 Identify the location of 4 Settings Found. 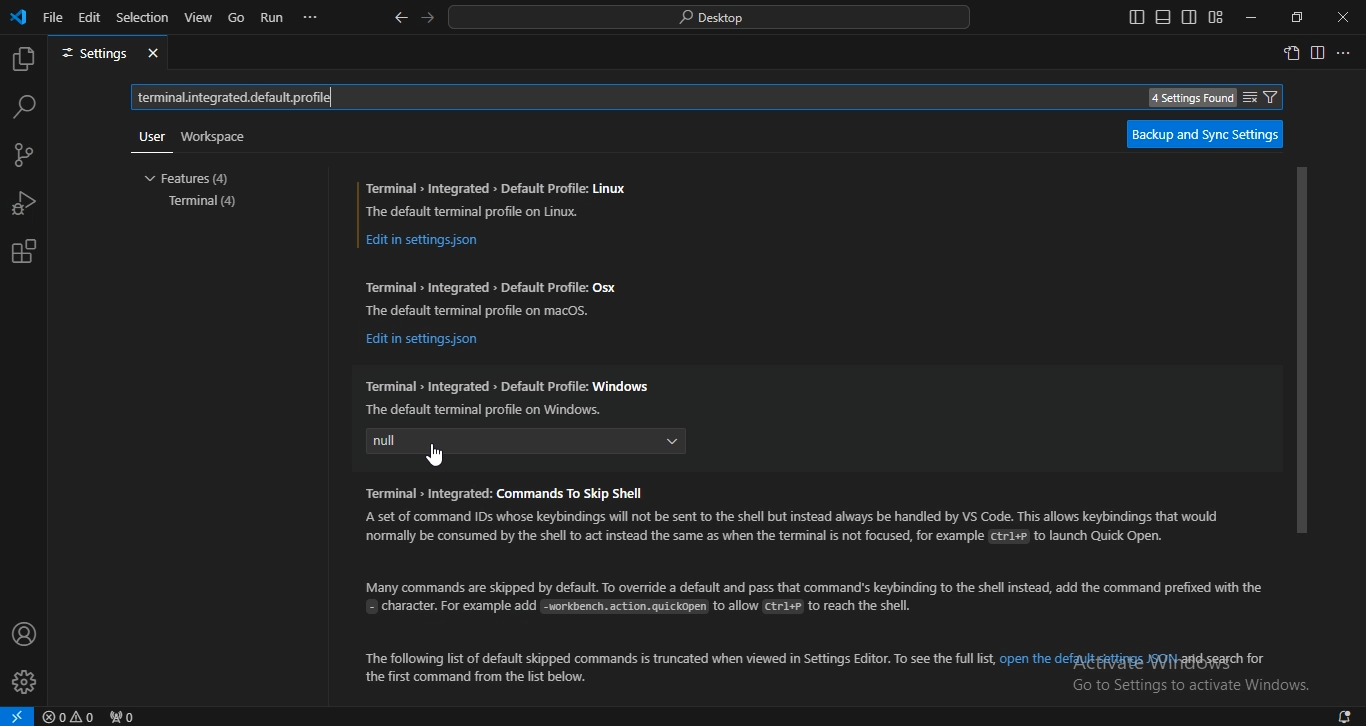
(1194, 98).